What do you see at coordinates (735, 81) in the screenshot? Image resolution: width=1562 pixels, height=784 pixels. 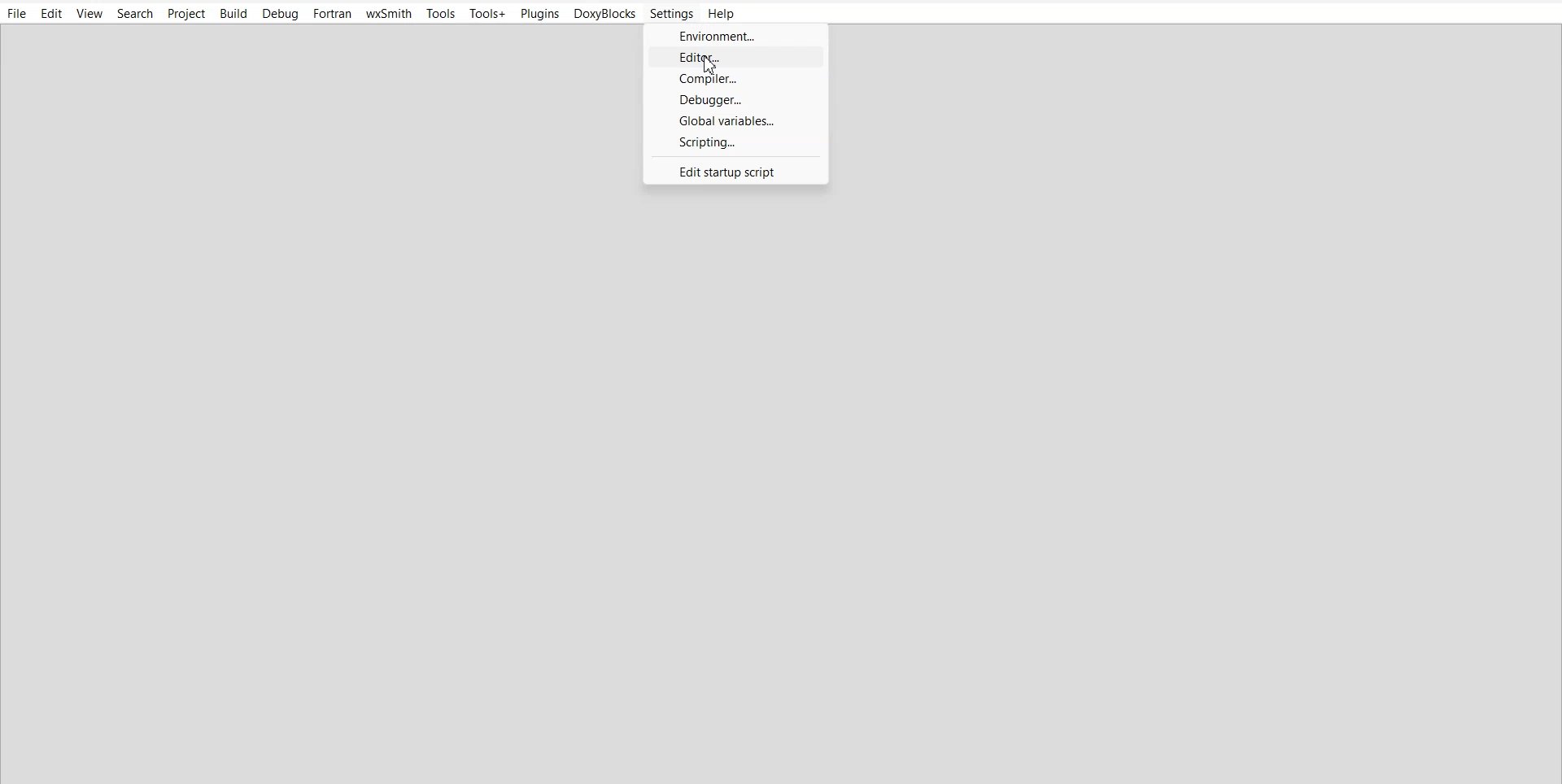 I see `Compiler` at bounding box center [735, 81].